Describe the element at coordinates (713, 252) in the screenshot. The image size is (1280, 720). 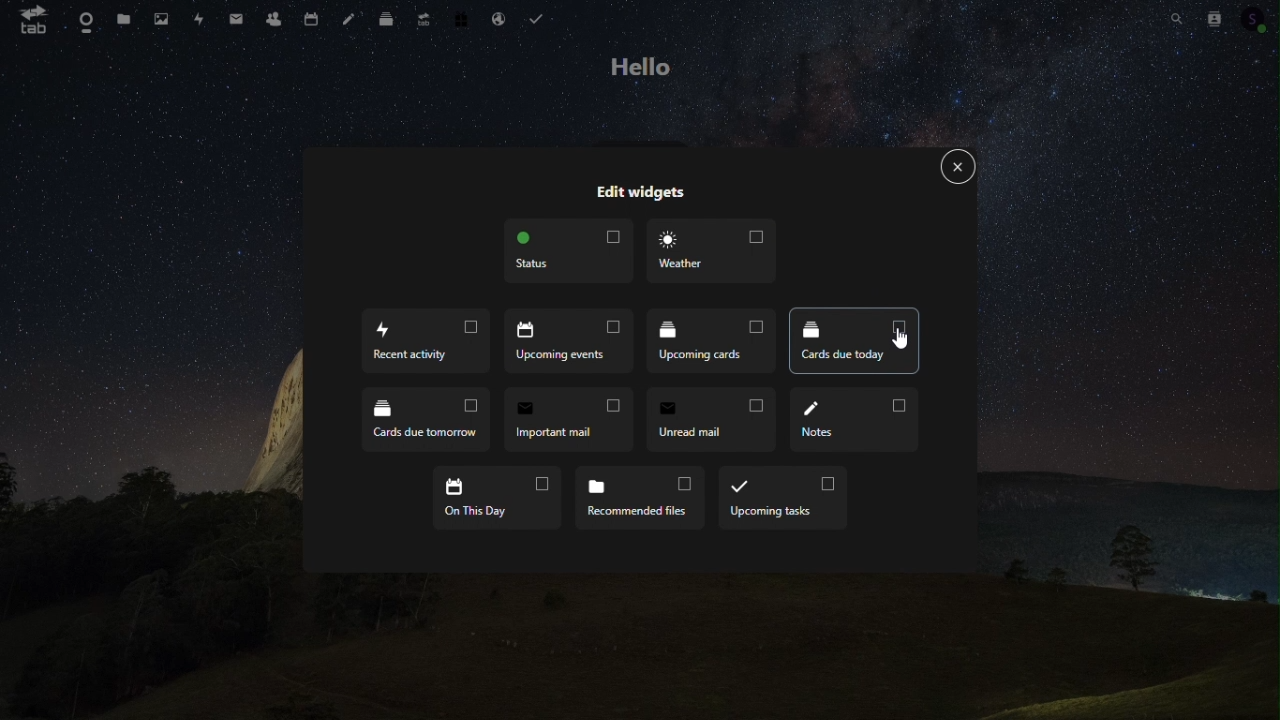
I see `Weather` at that location.